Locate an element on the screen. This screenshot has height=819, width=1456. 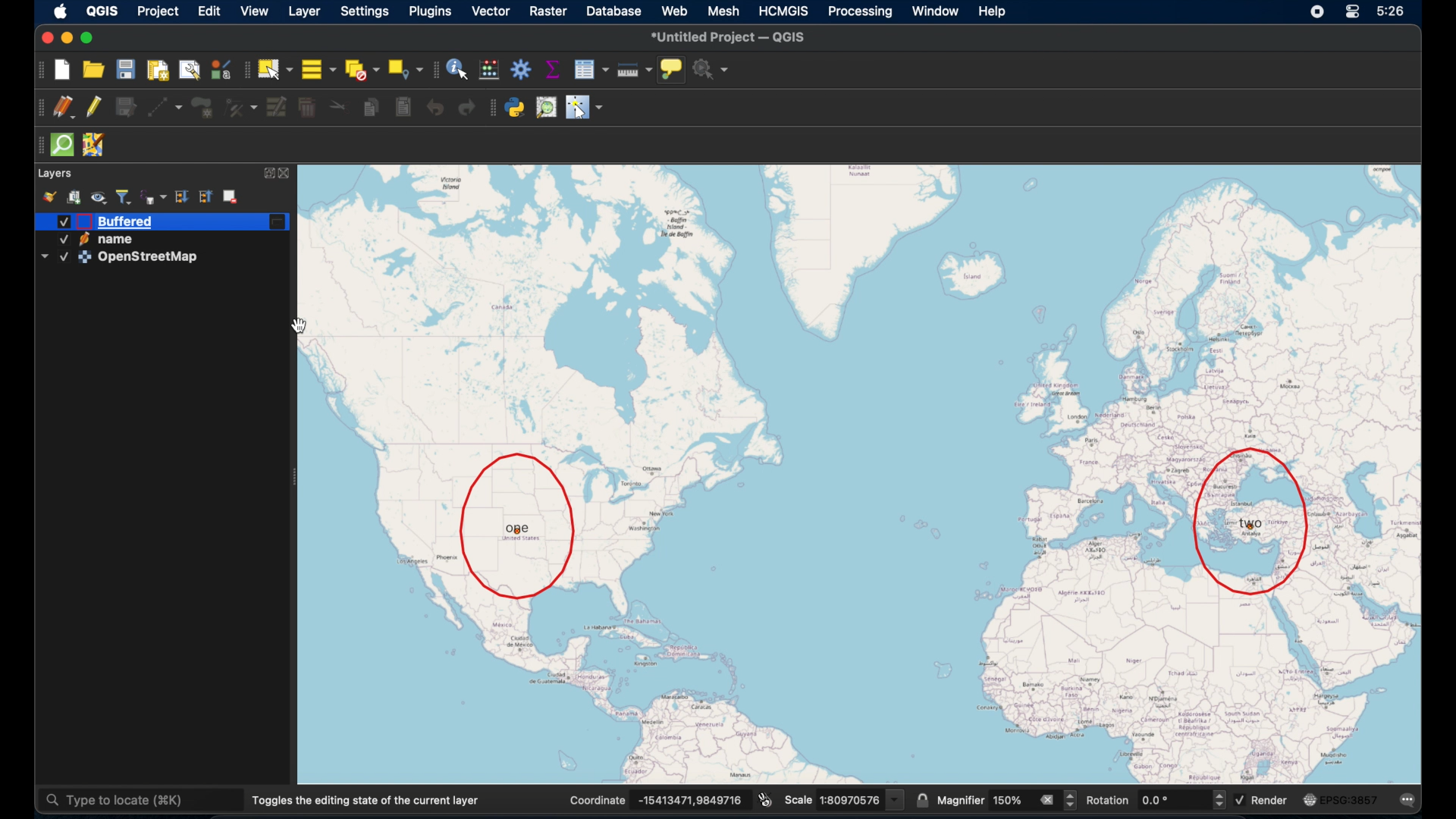
digitize with segment is located at coordinates (165, 108).